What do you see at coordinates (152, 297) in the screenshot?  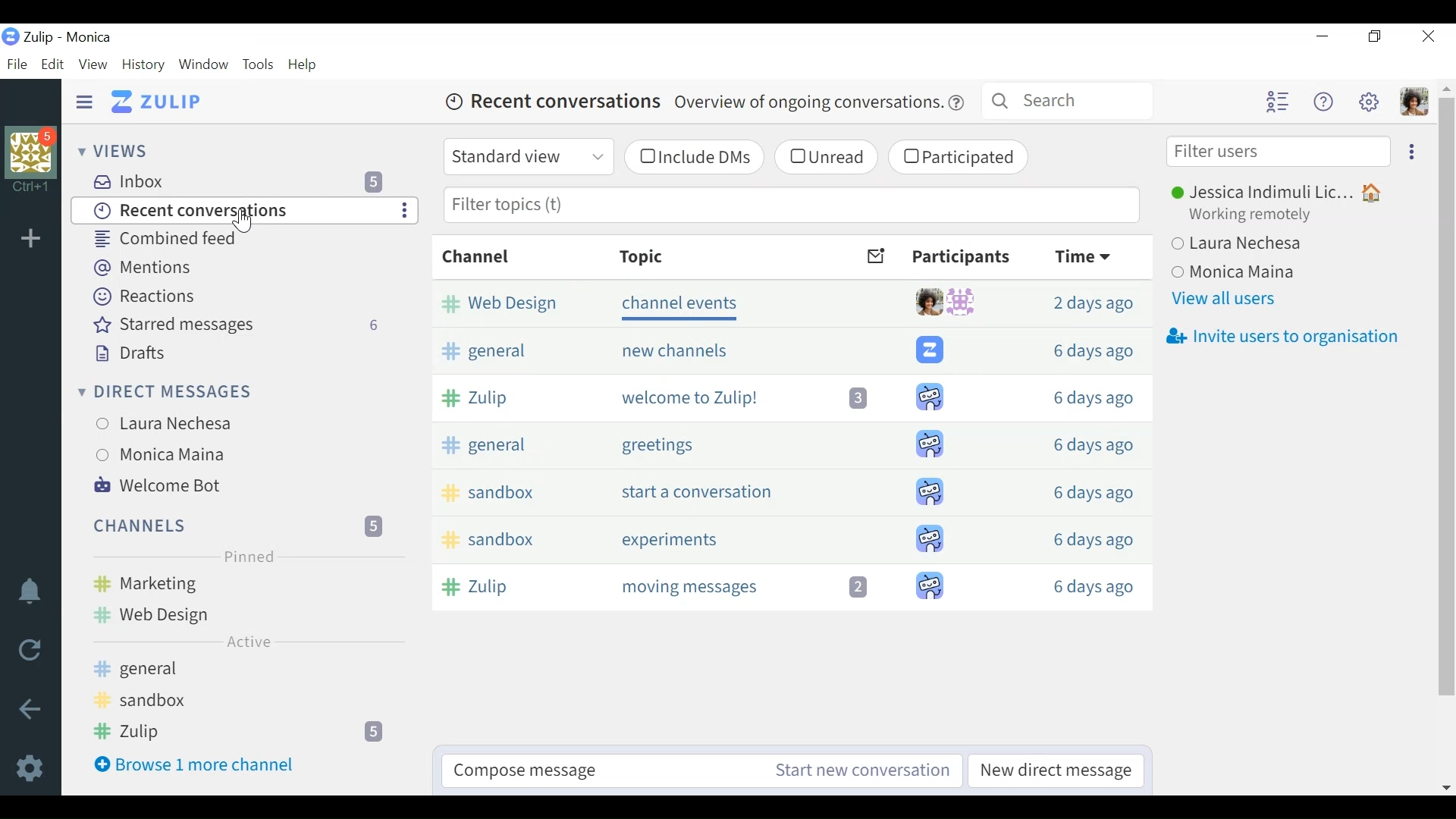 I see `Reactions` at bounding box center [152, 297].